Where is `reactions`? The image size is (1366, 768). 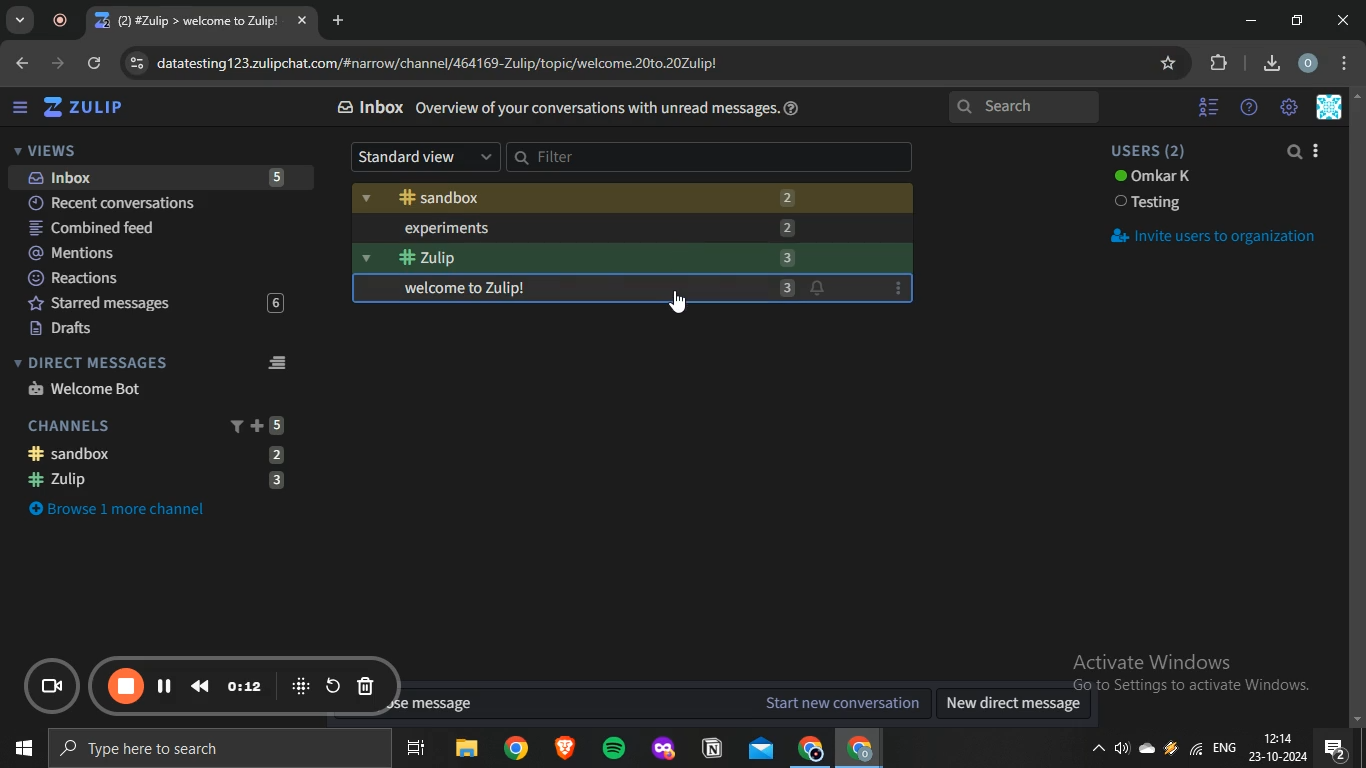 reactions is located at coordinates (154, 279).